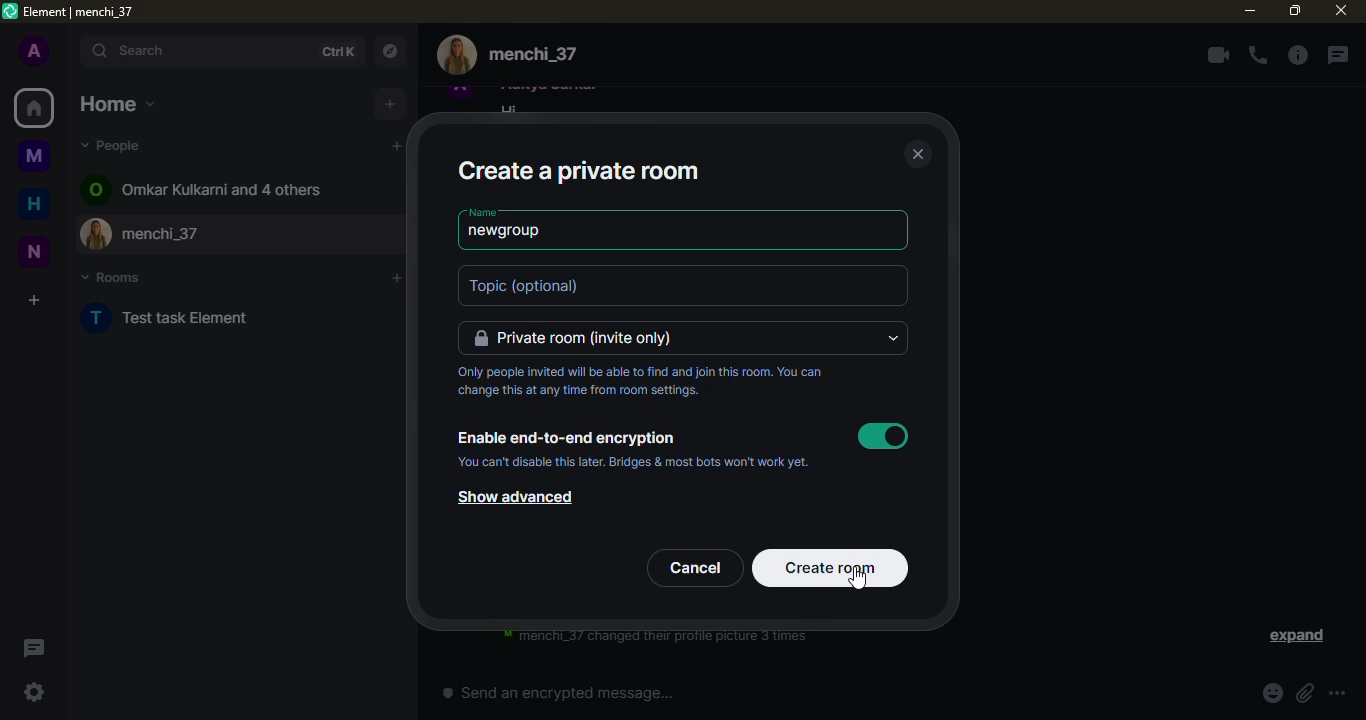 This screenshot has width=1366, height=720. Describe the element at coordinates (515, 497) in the screenshot. I see `show advanced` at that location.